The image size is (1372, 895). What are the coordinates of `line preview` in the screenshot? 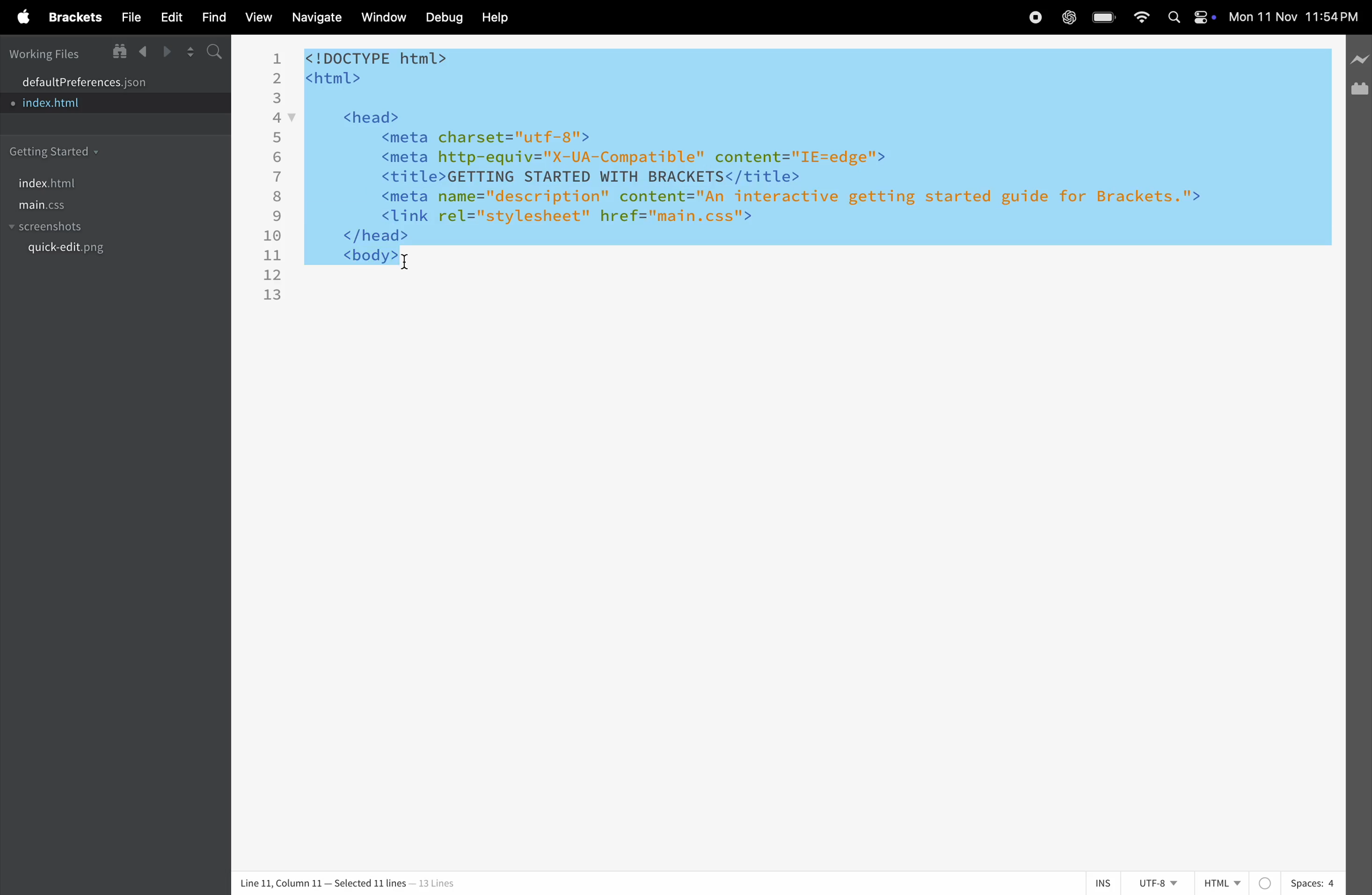 It's located at (1359, 63).